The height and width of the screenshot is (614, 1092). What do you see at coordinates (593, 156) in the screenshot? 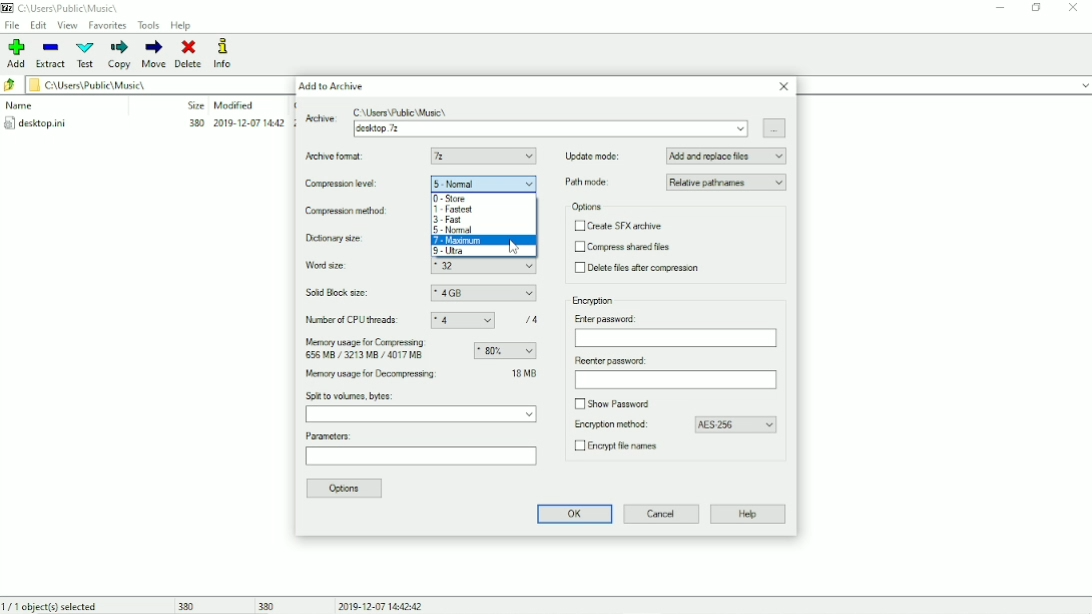
I see `Update mode` at bounding box center [593, 156].